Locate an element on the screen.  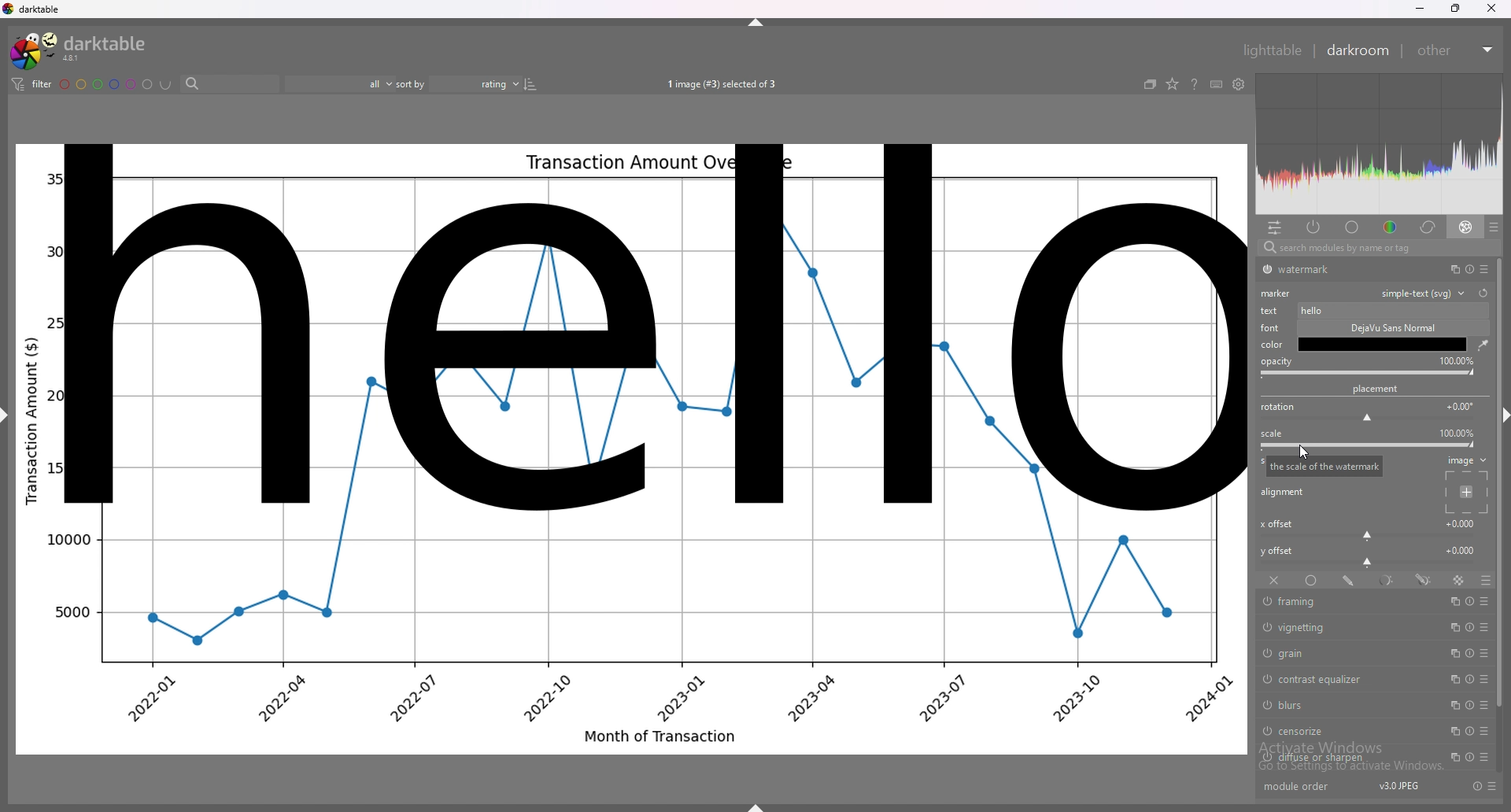
scale is located at coordinates (1272, 434).